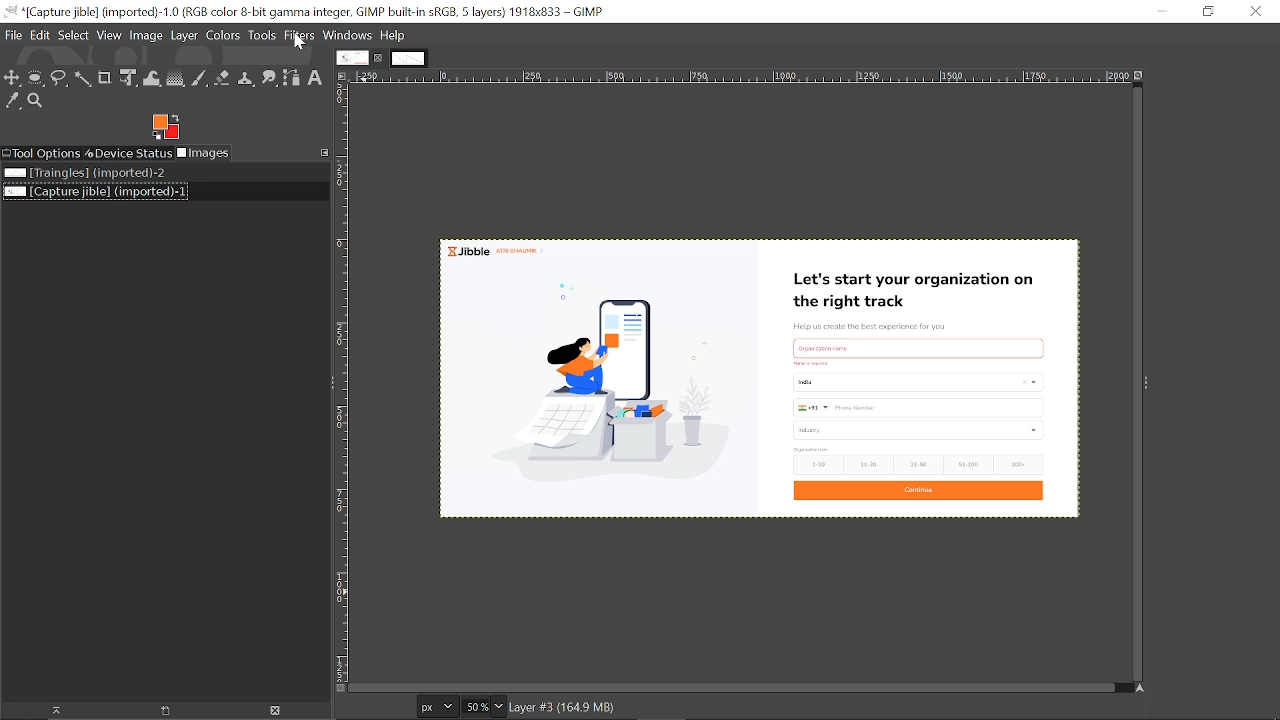 The image size is (1280, 720). Describe the element at coordinates (166, 711) in the screenshot. I see `Raise the image display` at that location.